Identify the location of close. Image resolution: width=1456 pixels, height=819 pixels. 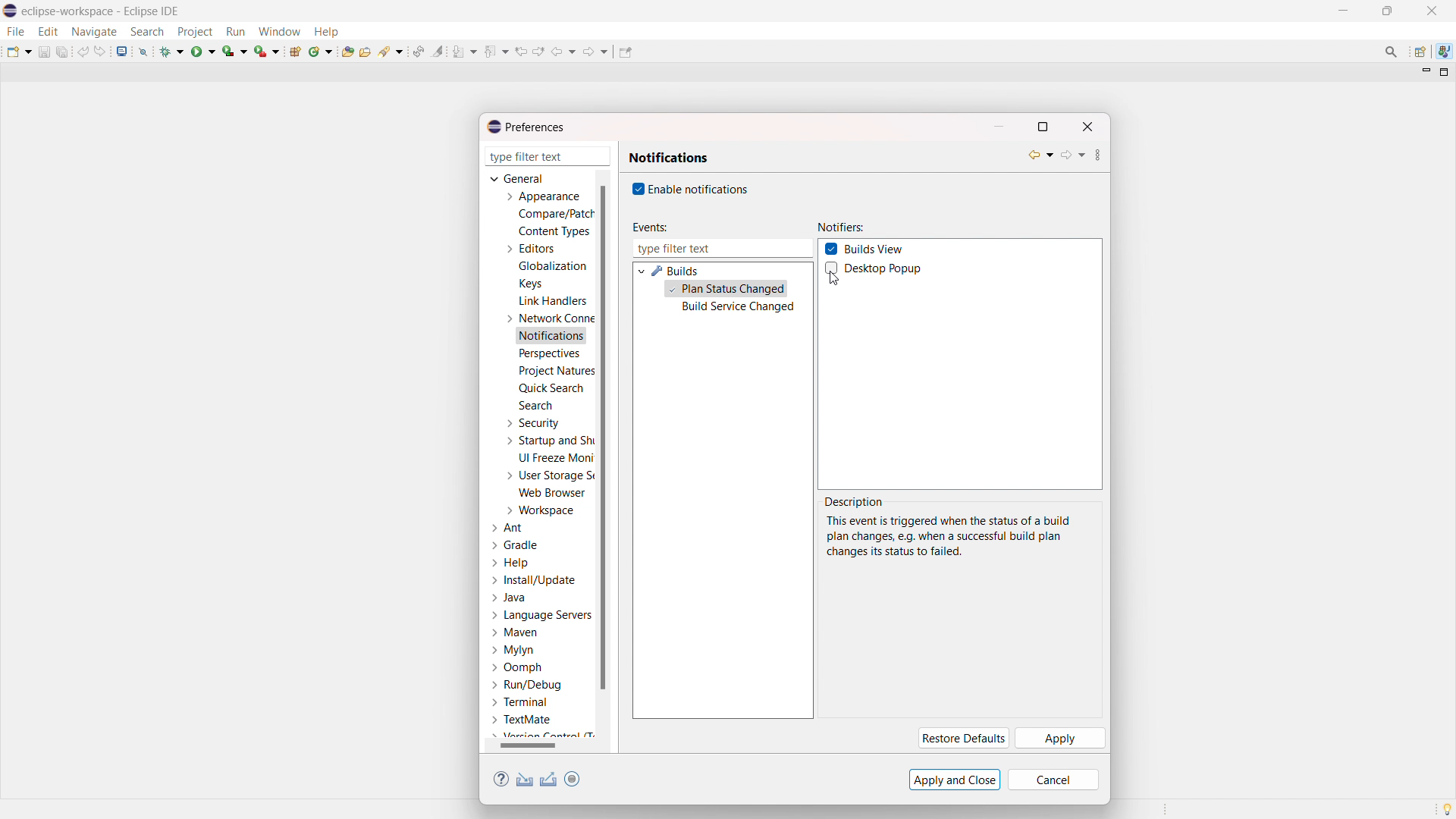
(1432, 11).